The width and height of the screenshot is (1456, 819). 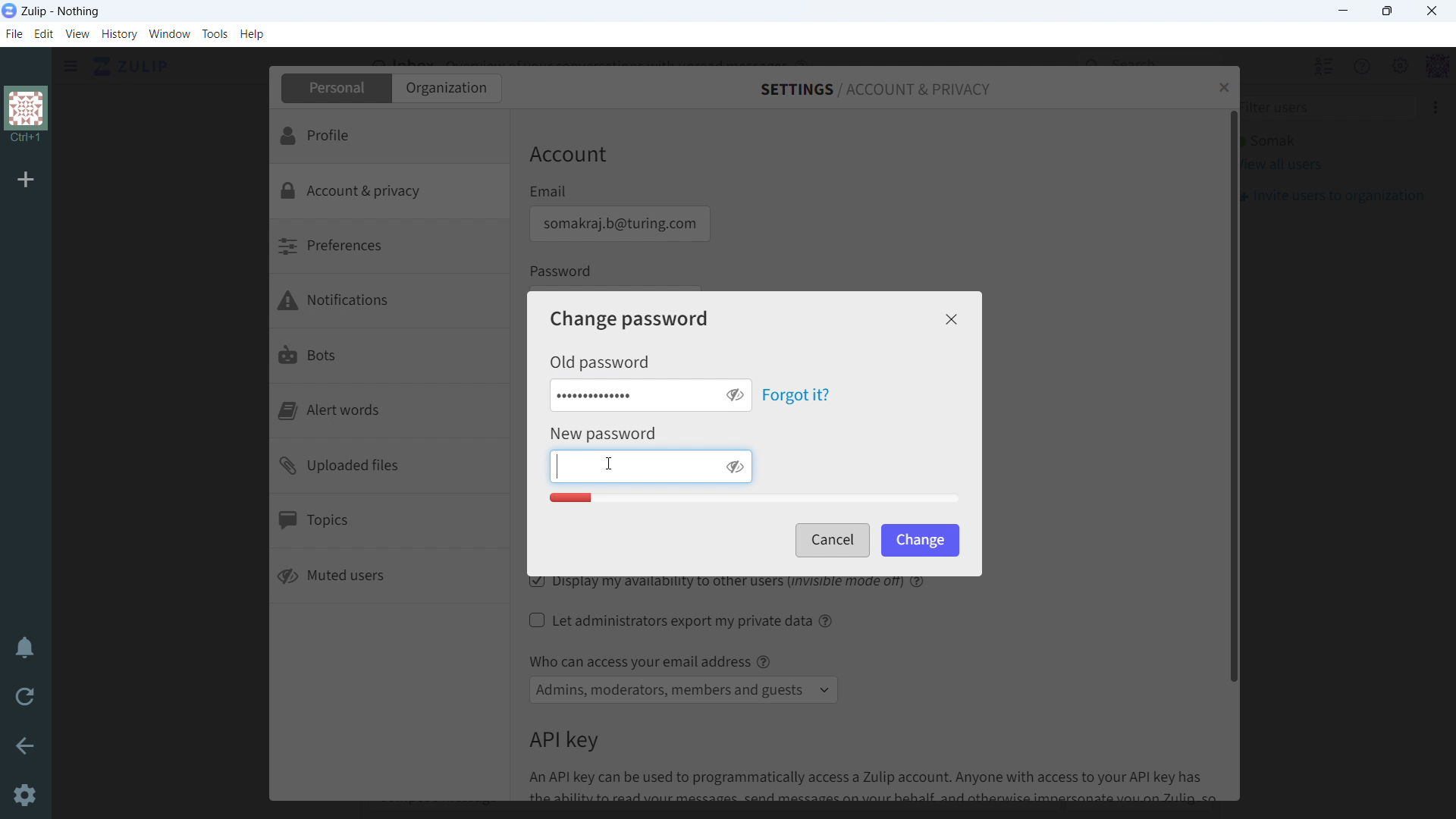 What do you see at coordinates (390, 523) in the screenshot?
I see `topics` at bounding box center [390, 523].